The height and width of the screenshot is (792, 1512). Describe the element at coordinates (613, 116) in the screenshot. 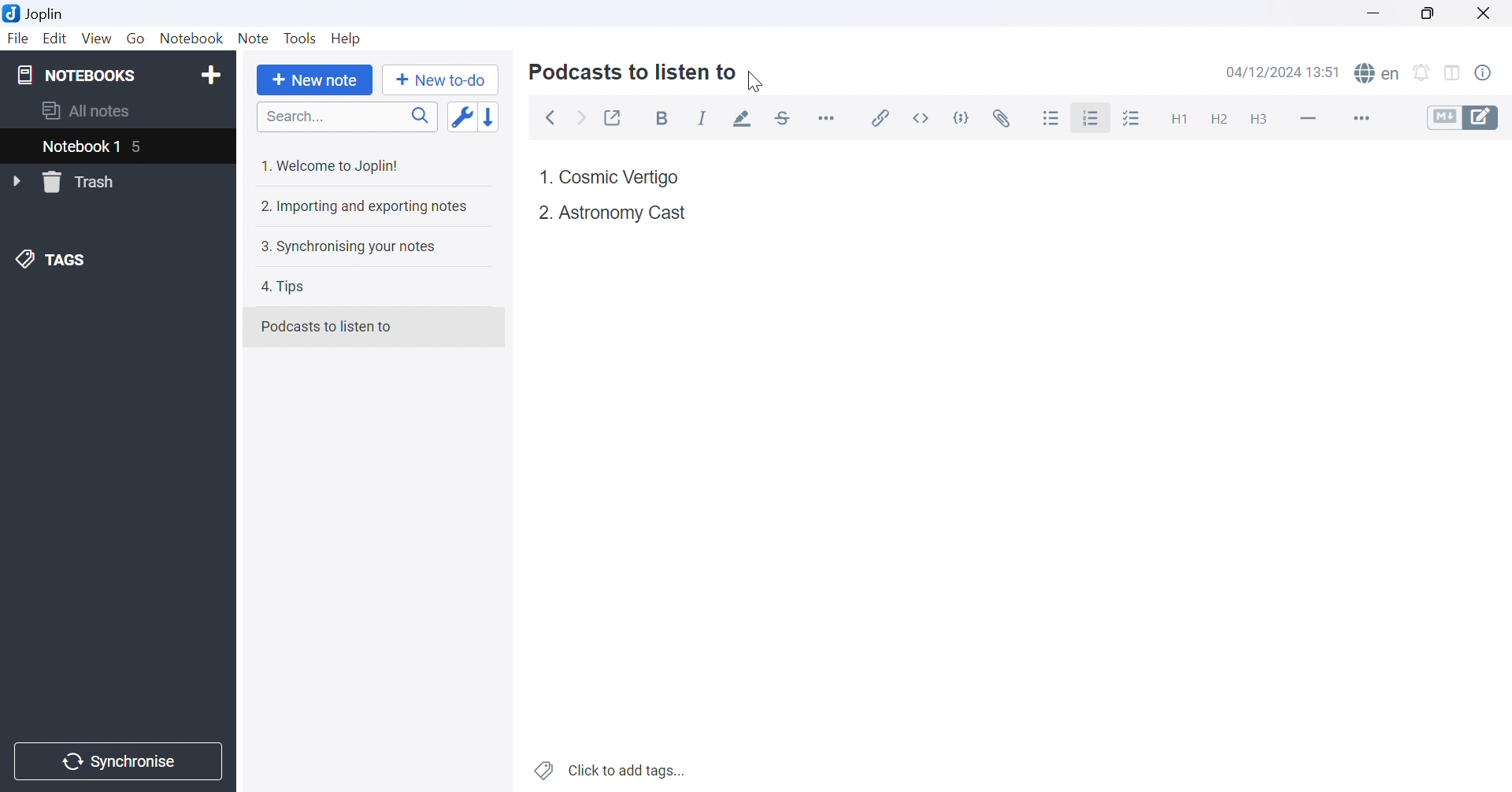

I see `Toggle external editing` at that location.